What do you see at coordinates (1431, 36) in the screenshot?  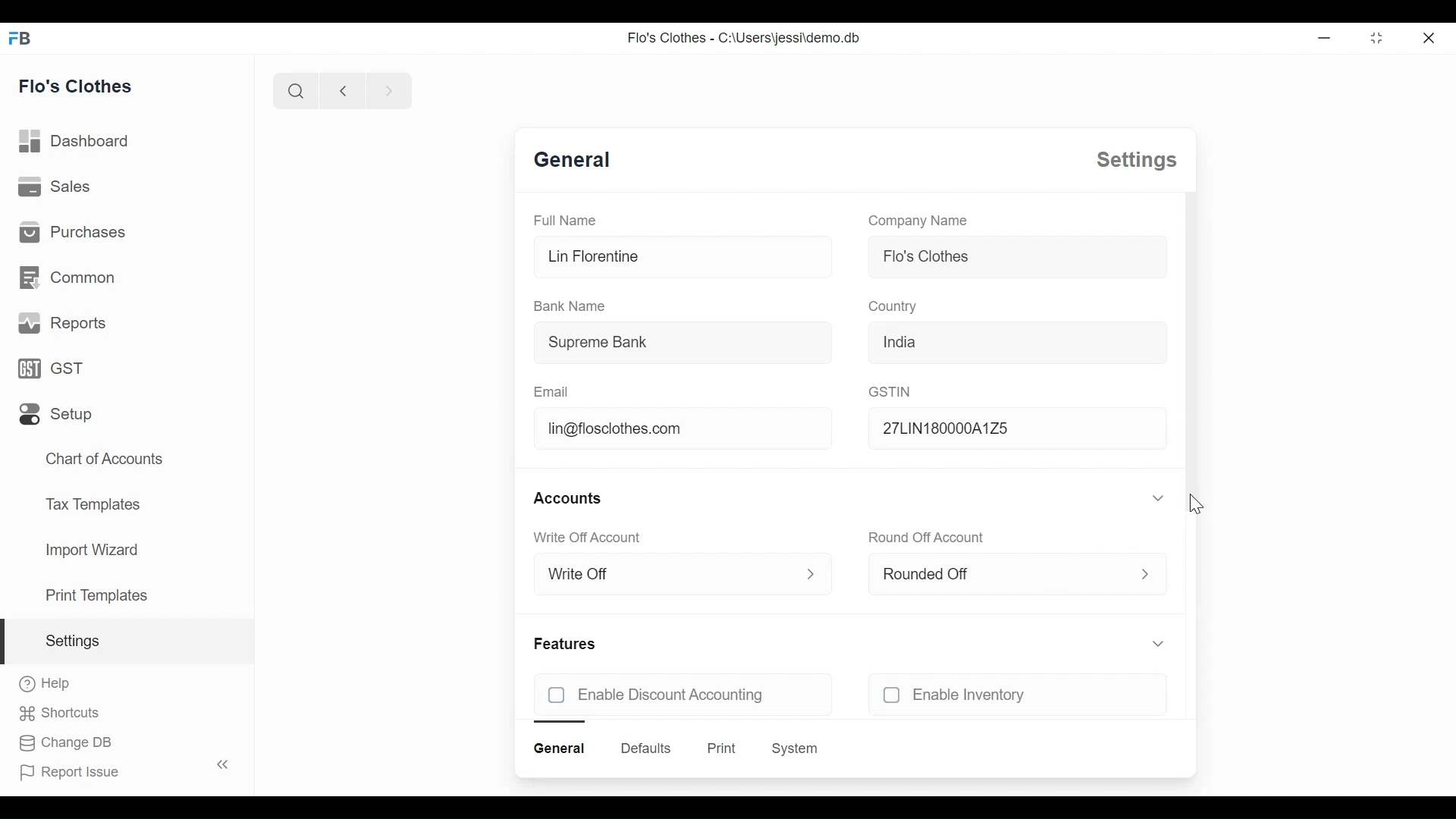 I see `Close` at bounding box center [1431, 36].